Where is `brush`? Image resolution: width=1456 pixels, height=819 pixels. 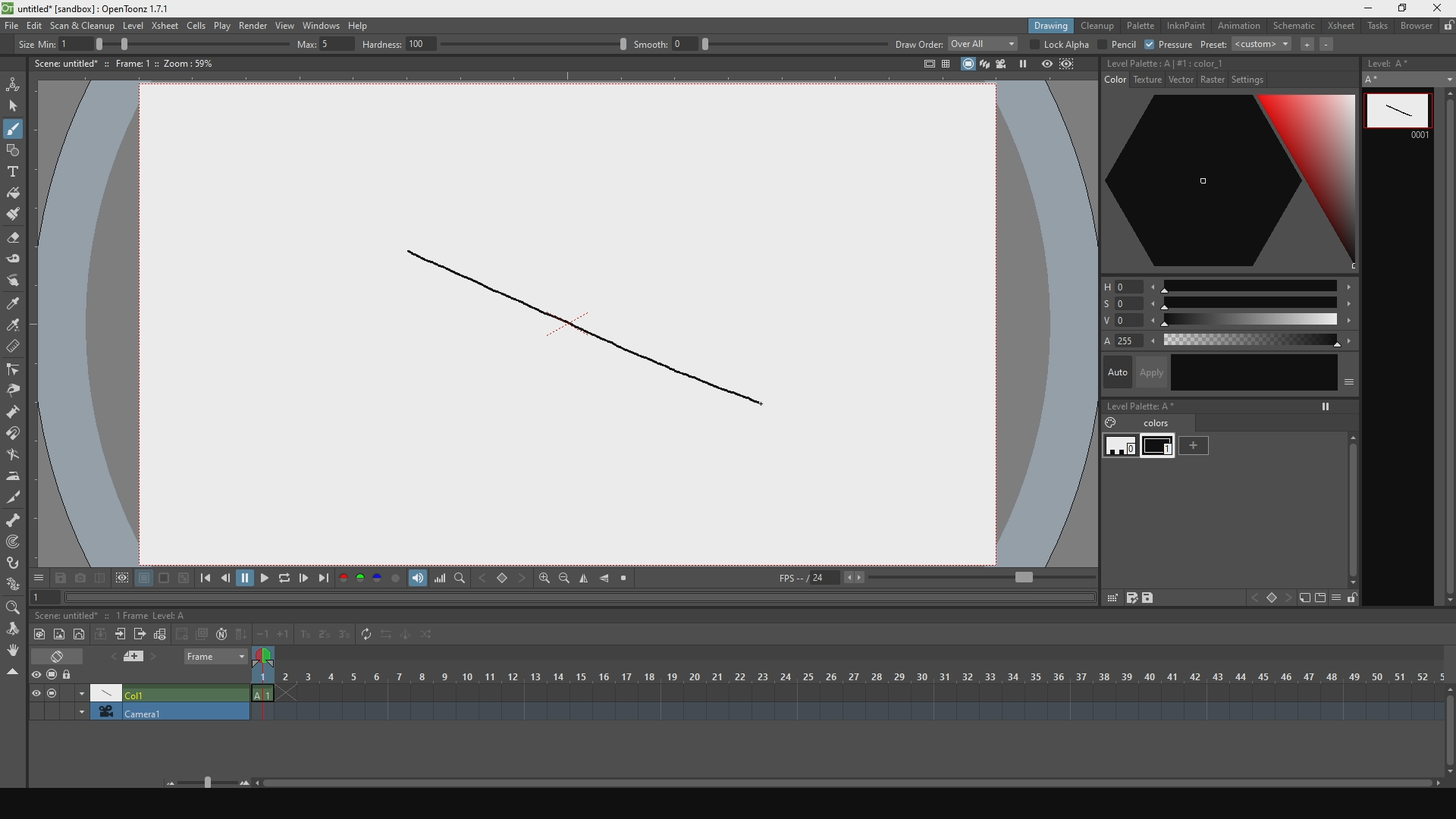
brush is located at coordinates (14, 215).